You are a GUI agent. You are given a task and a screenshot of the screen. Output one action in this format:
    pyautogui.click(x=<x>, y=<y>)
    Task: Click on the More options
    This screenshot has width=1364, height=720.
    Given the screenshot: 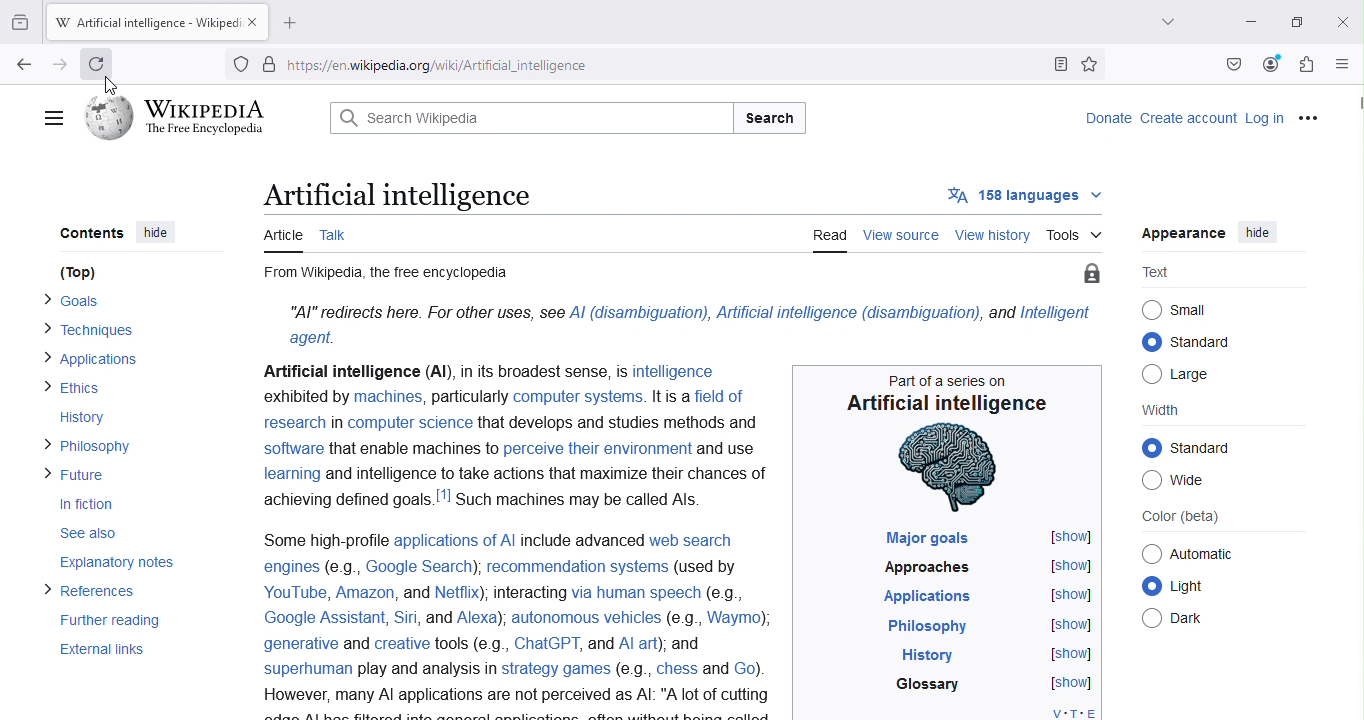 What is the action you would take?
    pyautogui.click(x=1309, y=117)
    